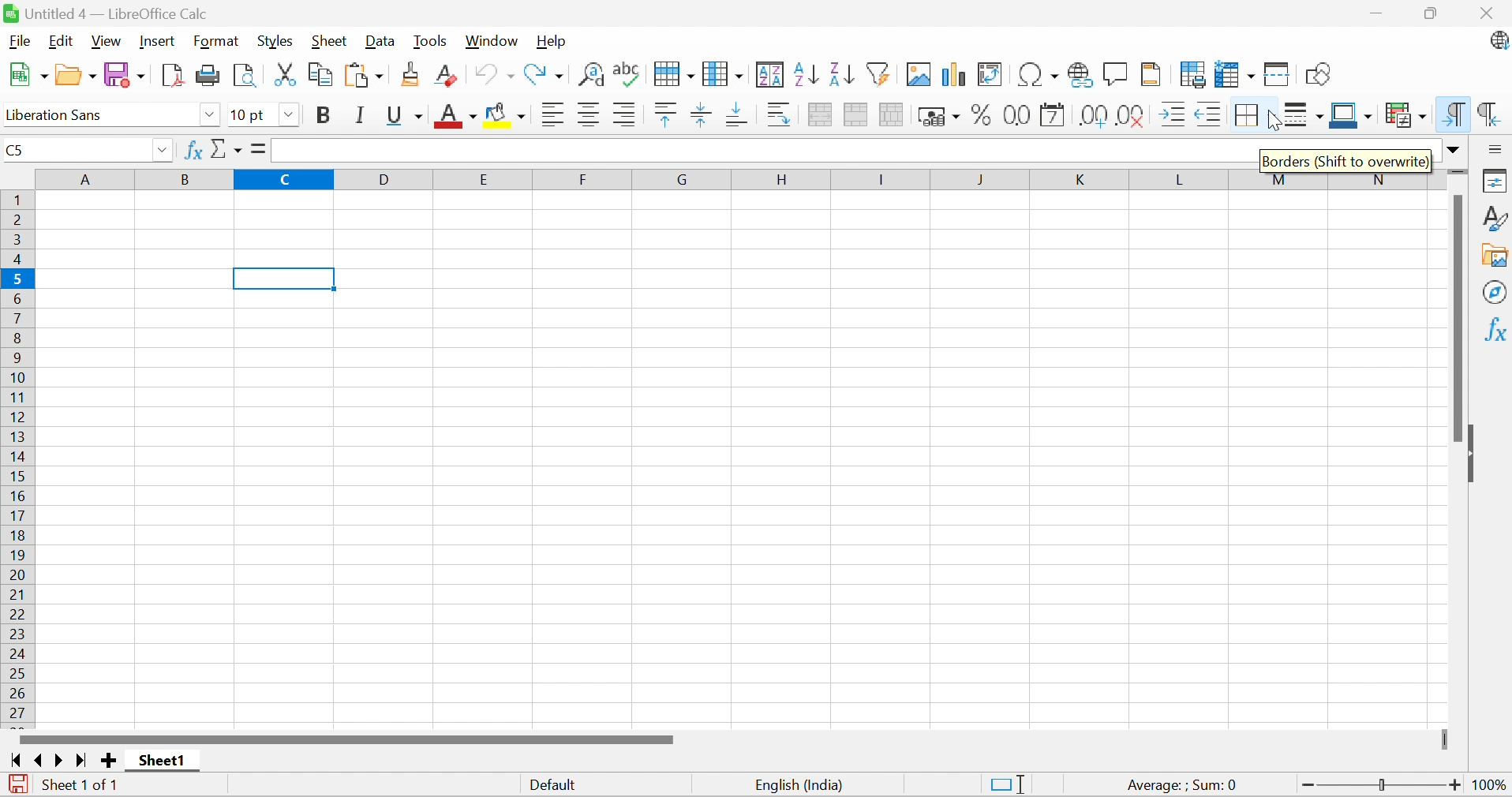  What do you see at coordinates (919, 75) in the screenshot?
I see `Insert image` at bounding box center [919, 75].